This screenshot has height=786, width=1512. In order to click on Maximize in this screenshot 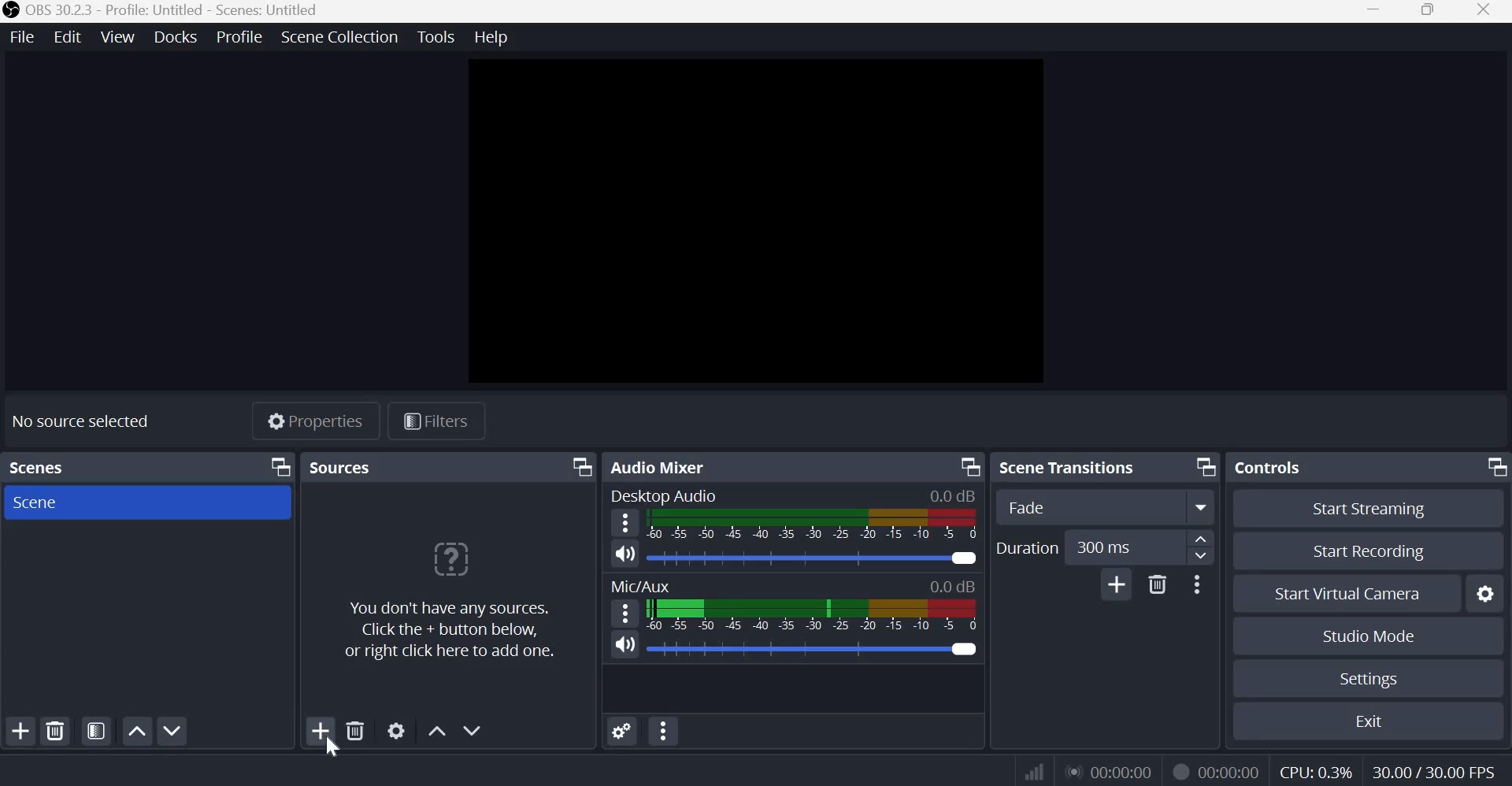, I will do `click(1428, 11)`.